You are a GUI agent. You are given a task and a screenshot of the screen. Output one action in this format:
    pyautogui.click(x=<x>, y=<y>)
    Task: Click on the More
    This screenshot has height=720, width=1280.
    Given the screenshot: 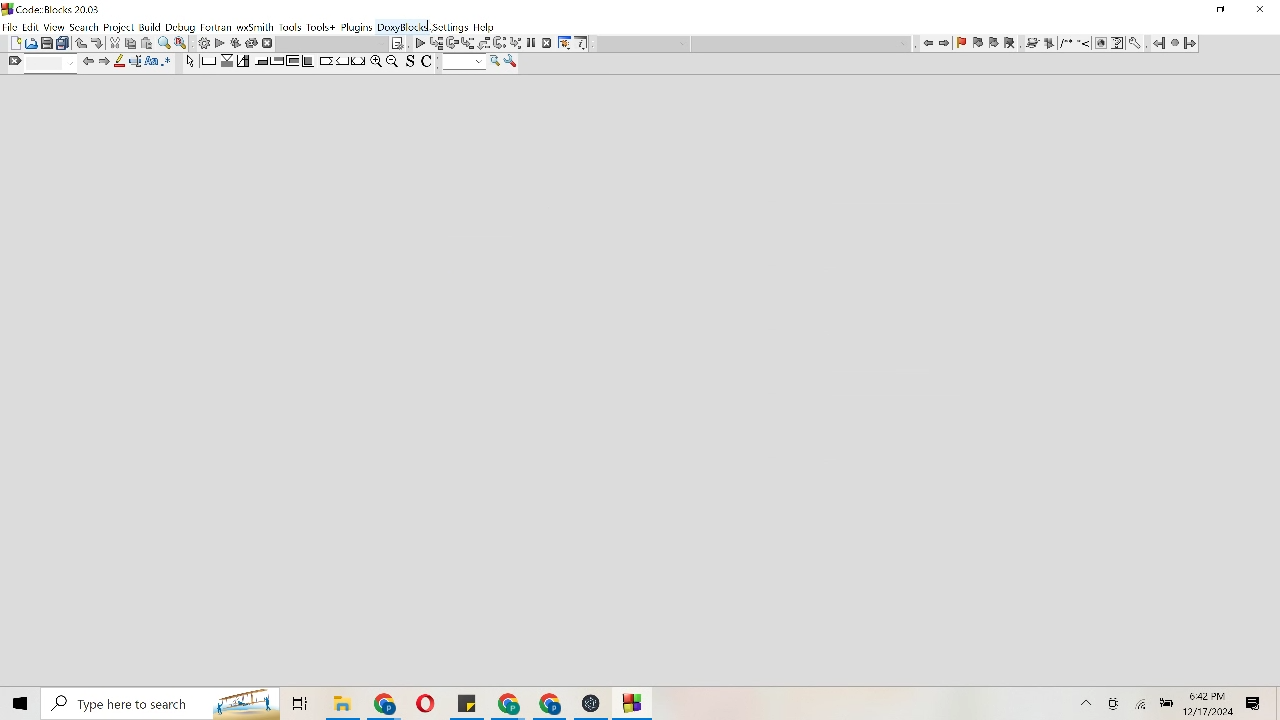 What is the action you would take?
    pyautogui.click(x=1087, y=703)
    